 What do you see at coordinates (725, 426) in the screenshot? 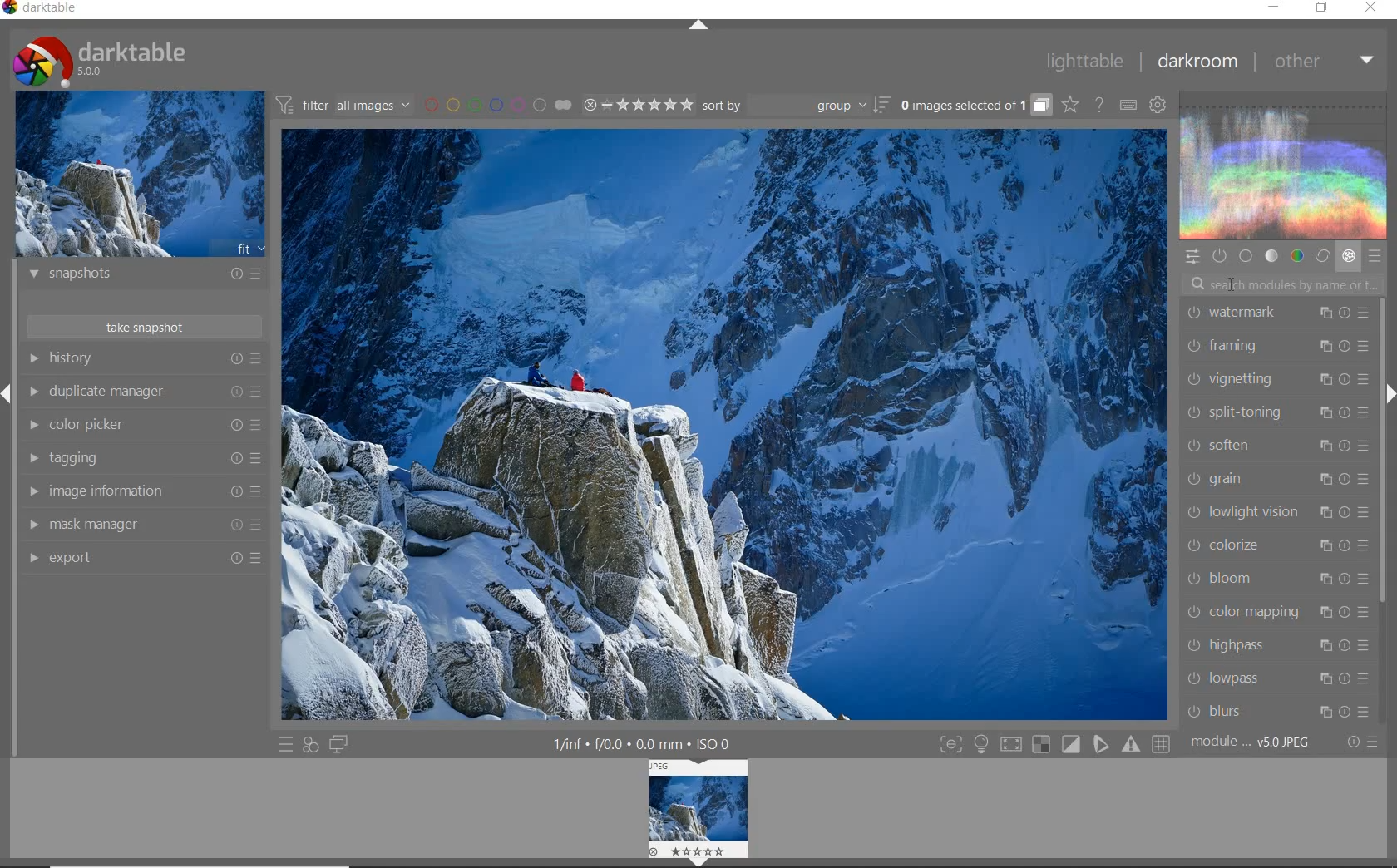
I see `selected image` at bounding box center [725, 426].